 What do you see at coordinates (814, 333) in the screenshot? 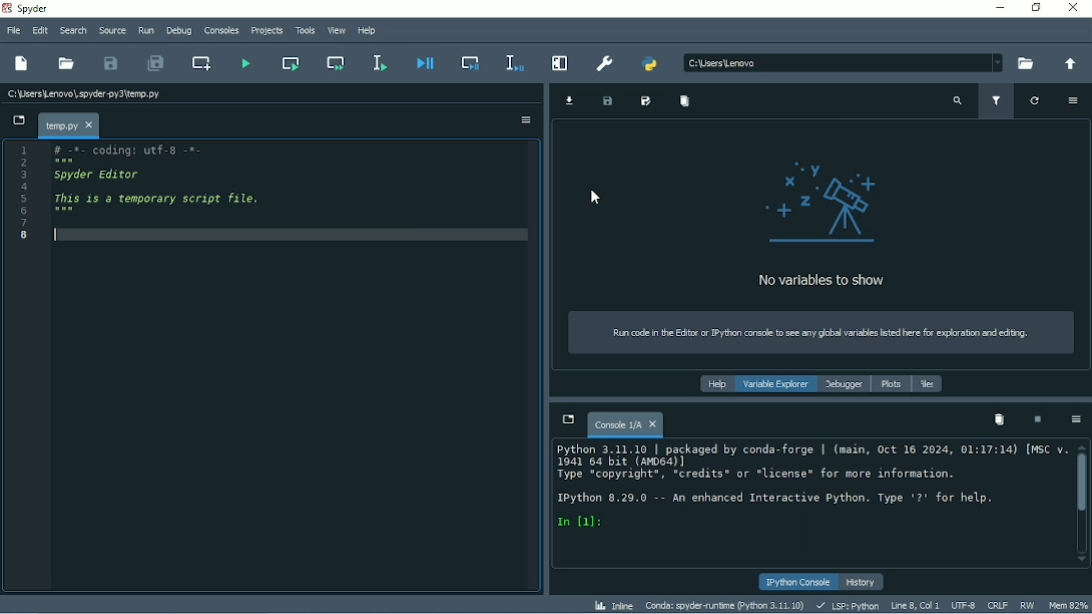
I see `Instruction` at bounding box center [814, 333].